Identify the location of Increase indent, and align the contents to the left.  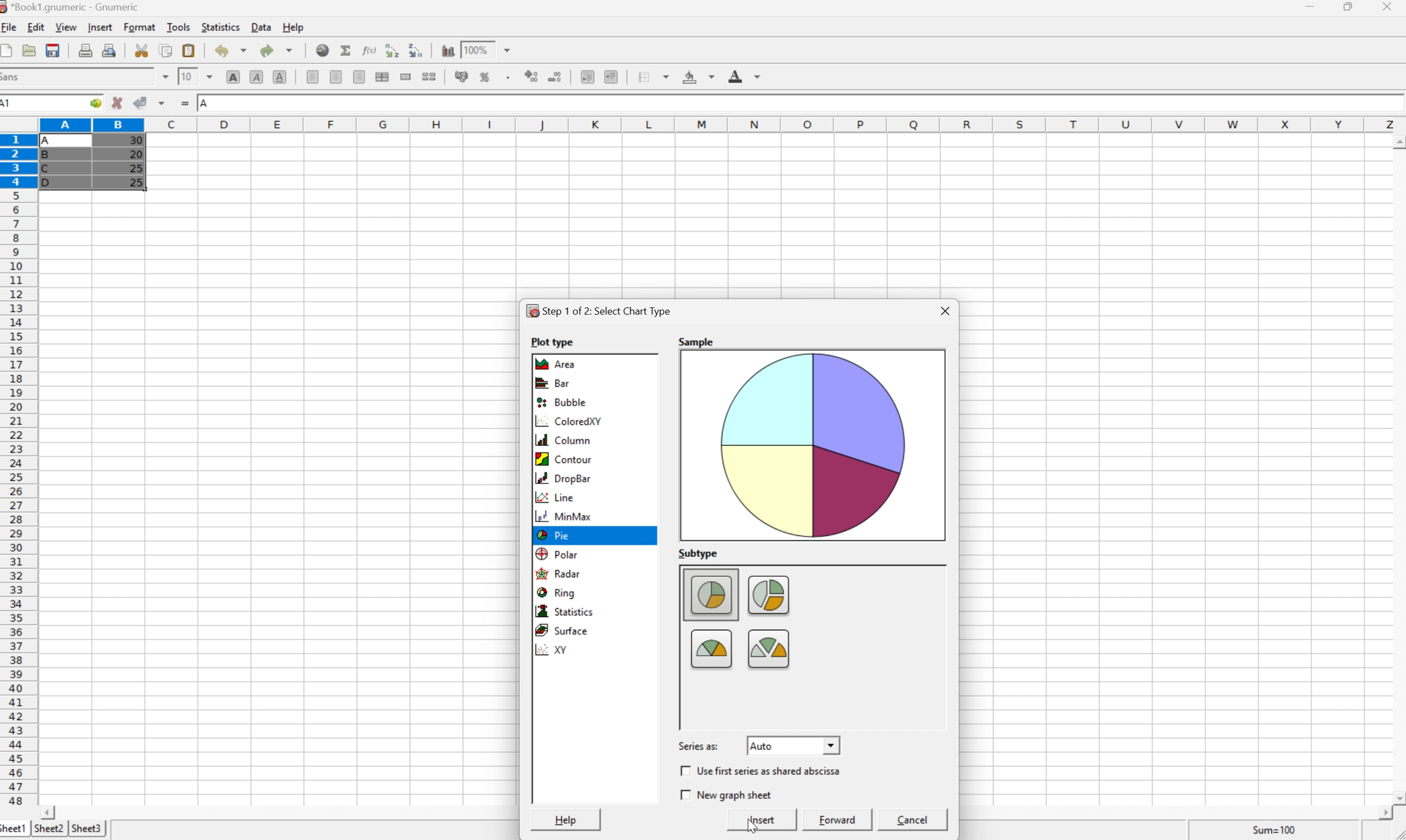
(614, 77).